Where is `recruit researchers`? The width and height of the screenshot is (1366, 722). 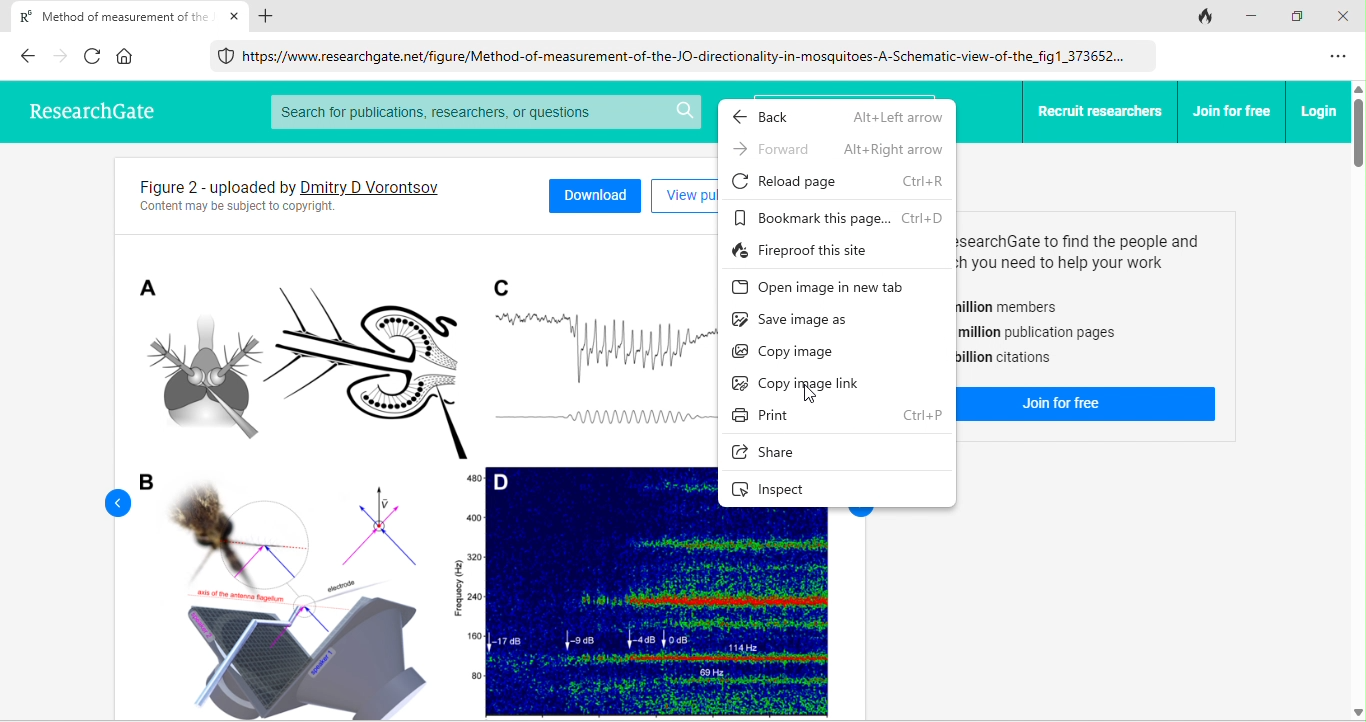
recruit researchers is located at coordinates (1101, 112).